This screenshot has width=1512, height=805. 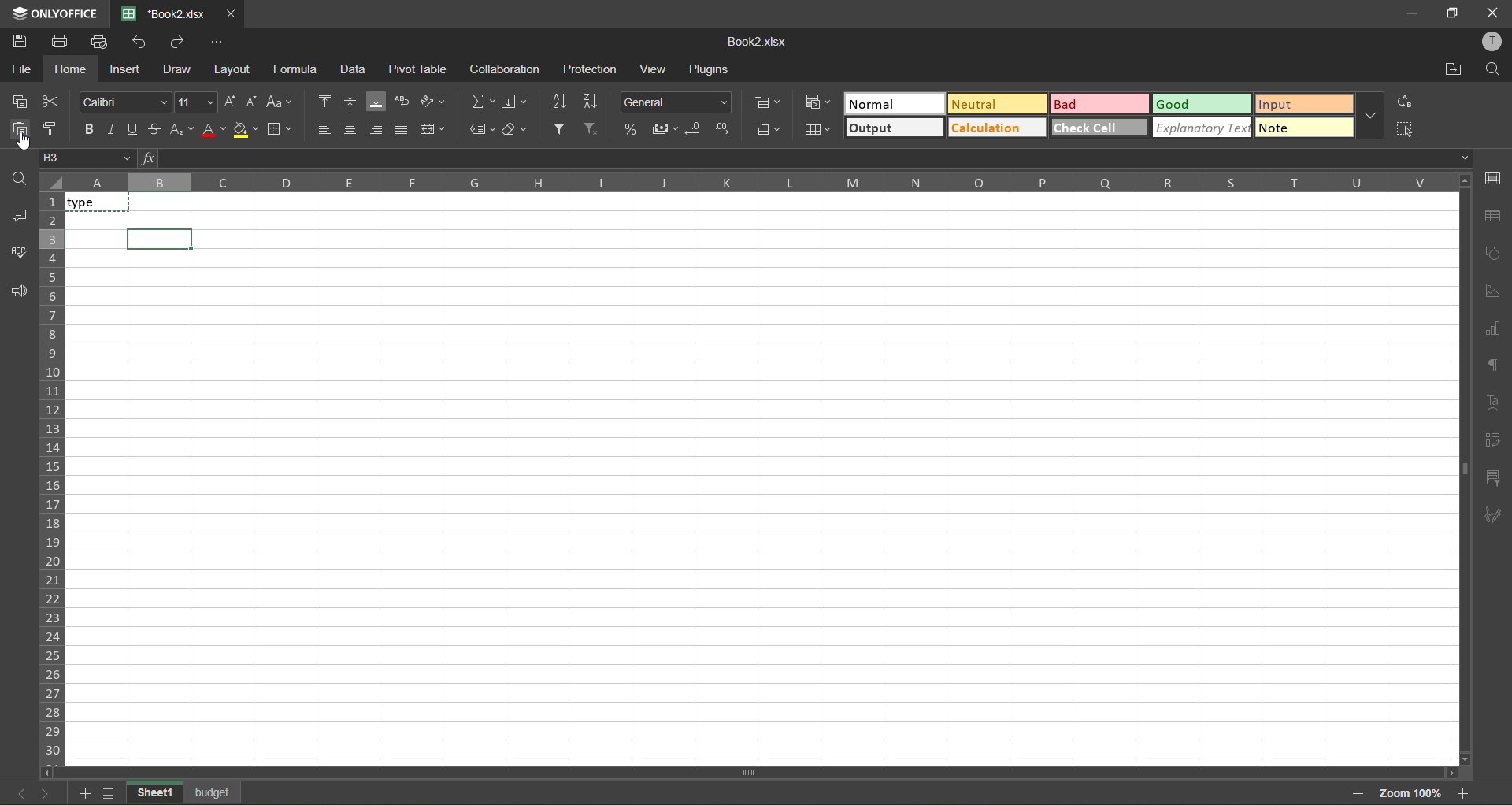 What do you see at coordinates (1492, 70) in the screenshot?
I see `find` at bounding box center [1492, 70].